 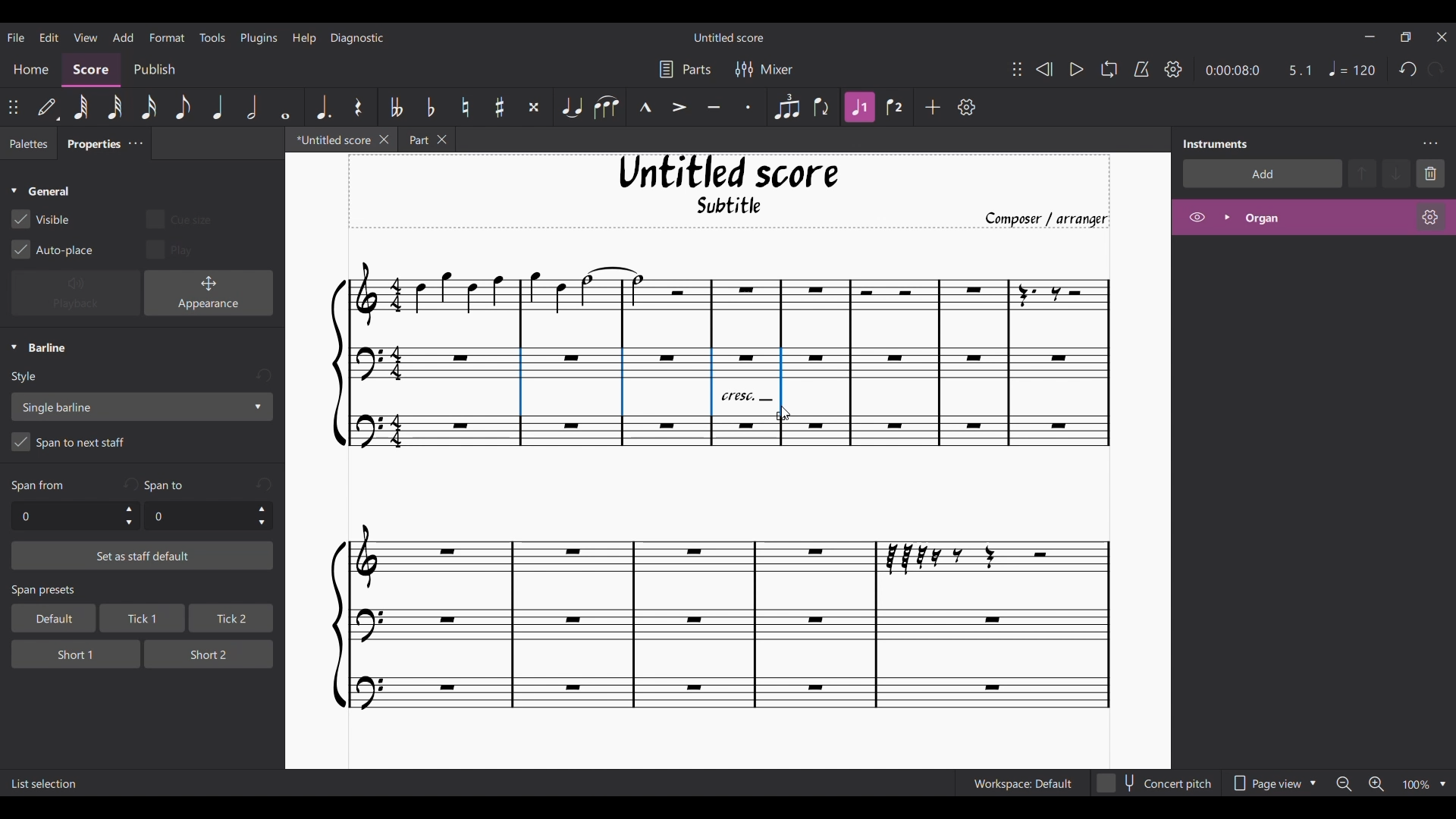 I want to click on 16th note, so click(x=150, y=107).